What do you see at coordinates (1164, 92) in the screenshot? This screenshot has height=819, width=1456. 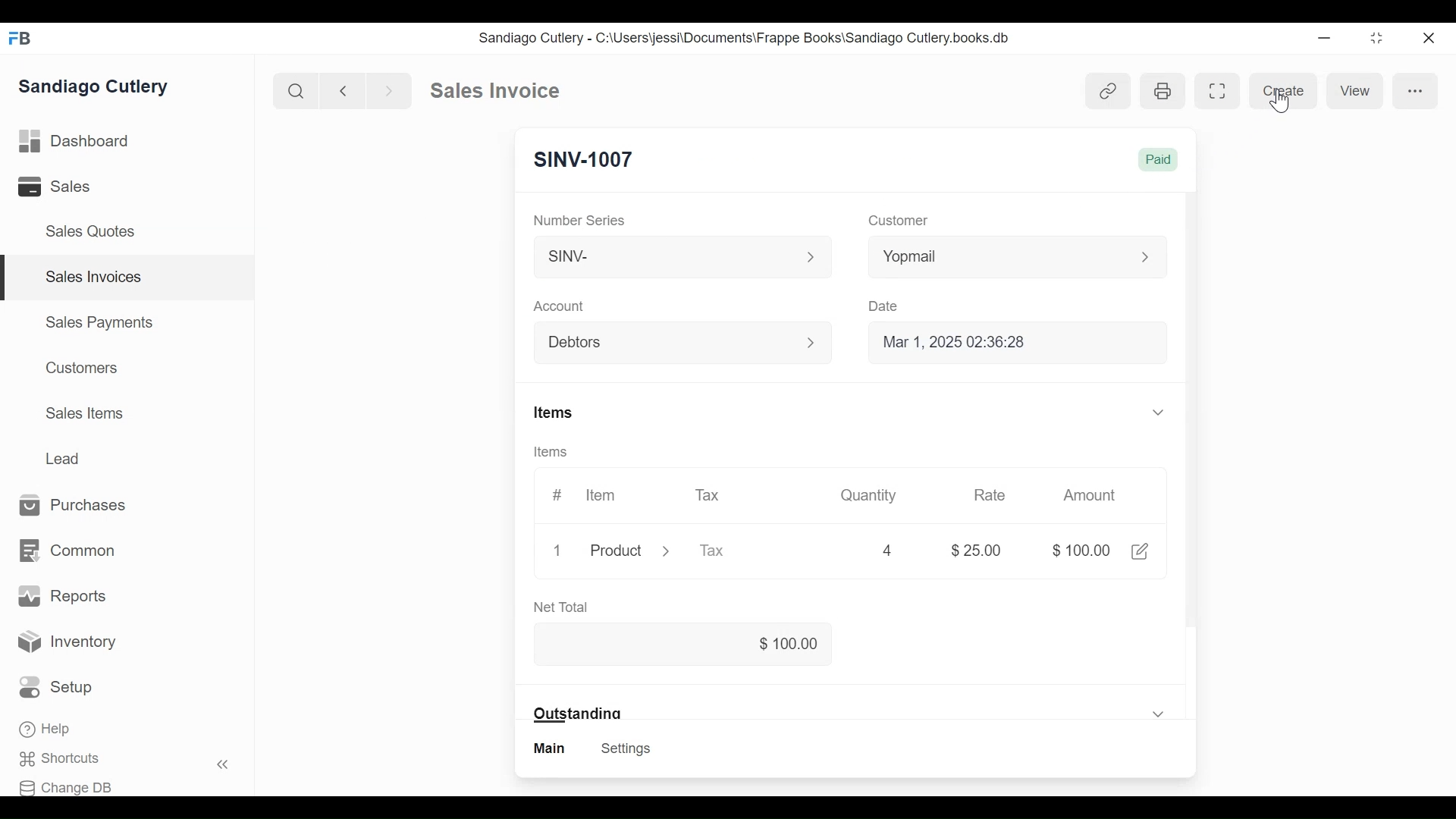 I see `Open print view` at bounding box center [1164, 92].